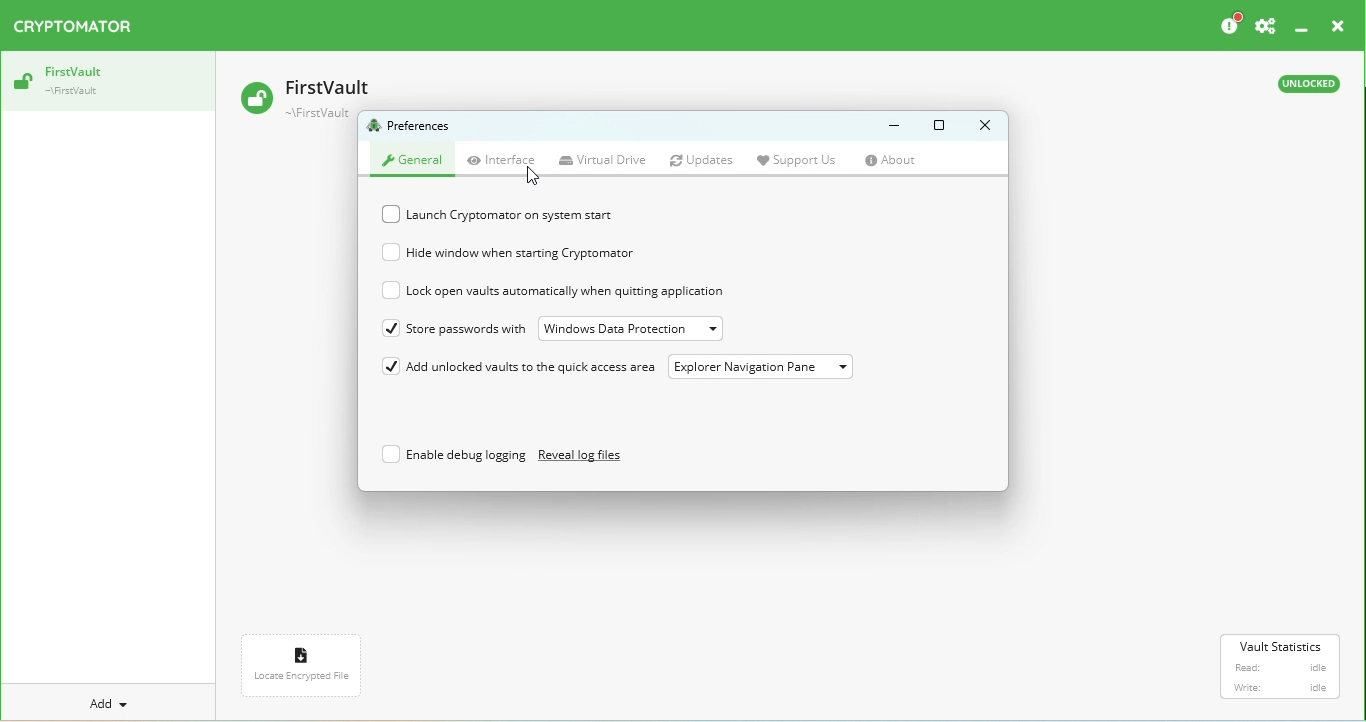 This screenshot has height=722, width=1366. What do you see at coordinates (804, 160) in the screenshot?
I see `Support us` at bounding box center [804, 160].